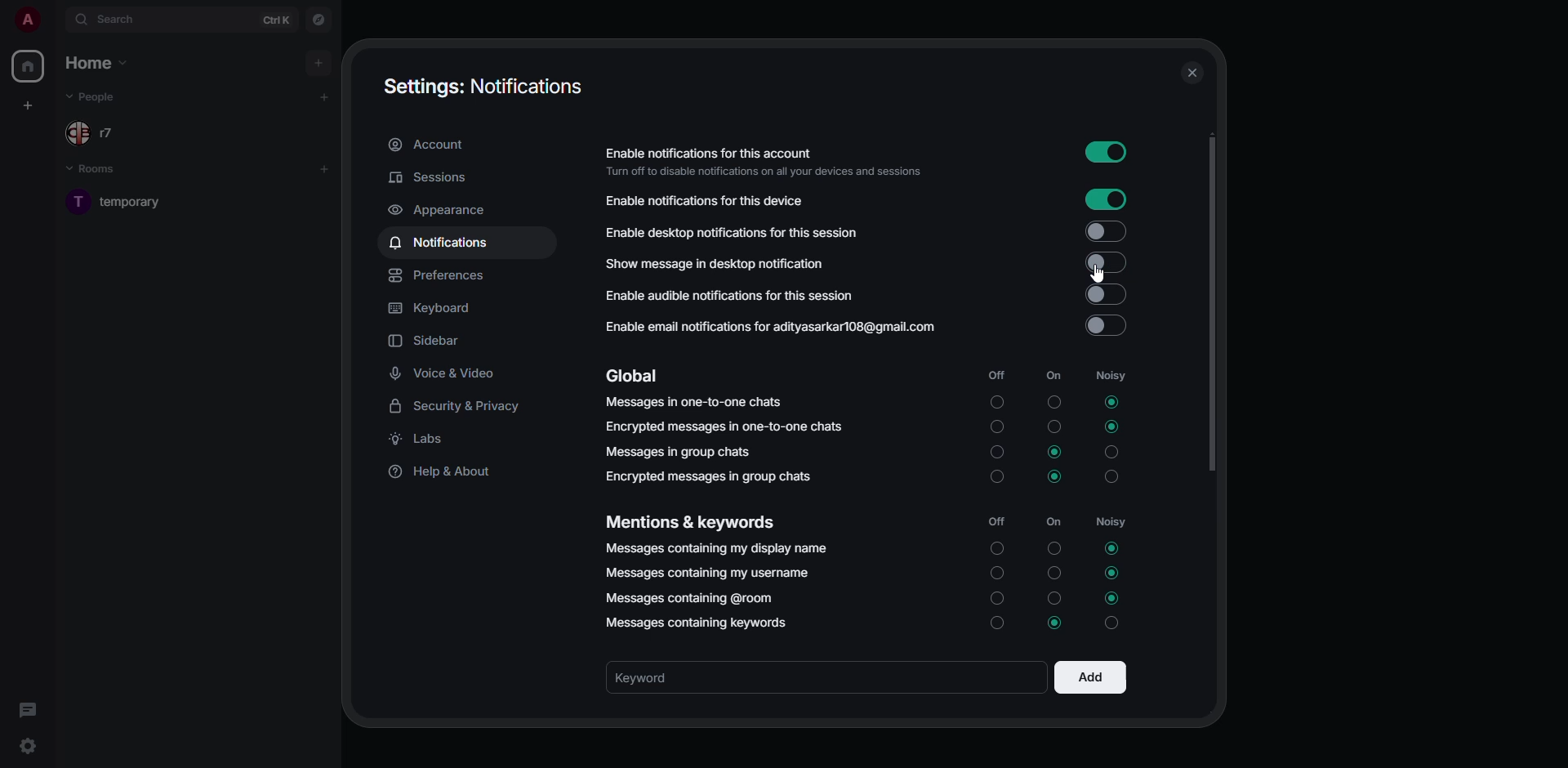  I want to click on encrypted messages in one on one chats, so click(728, 427).